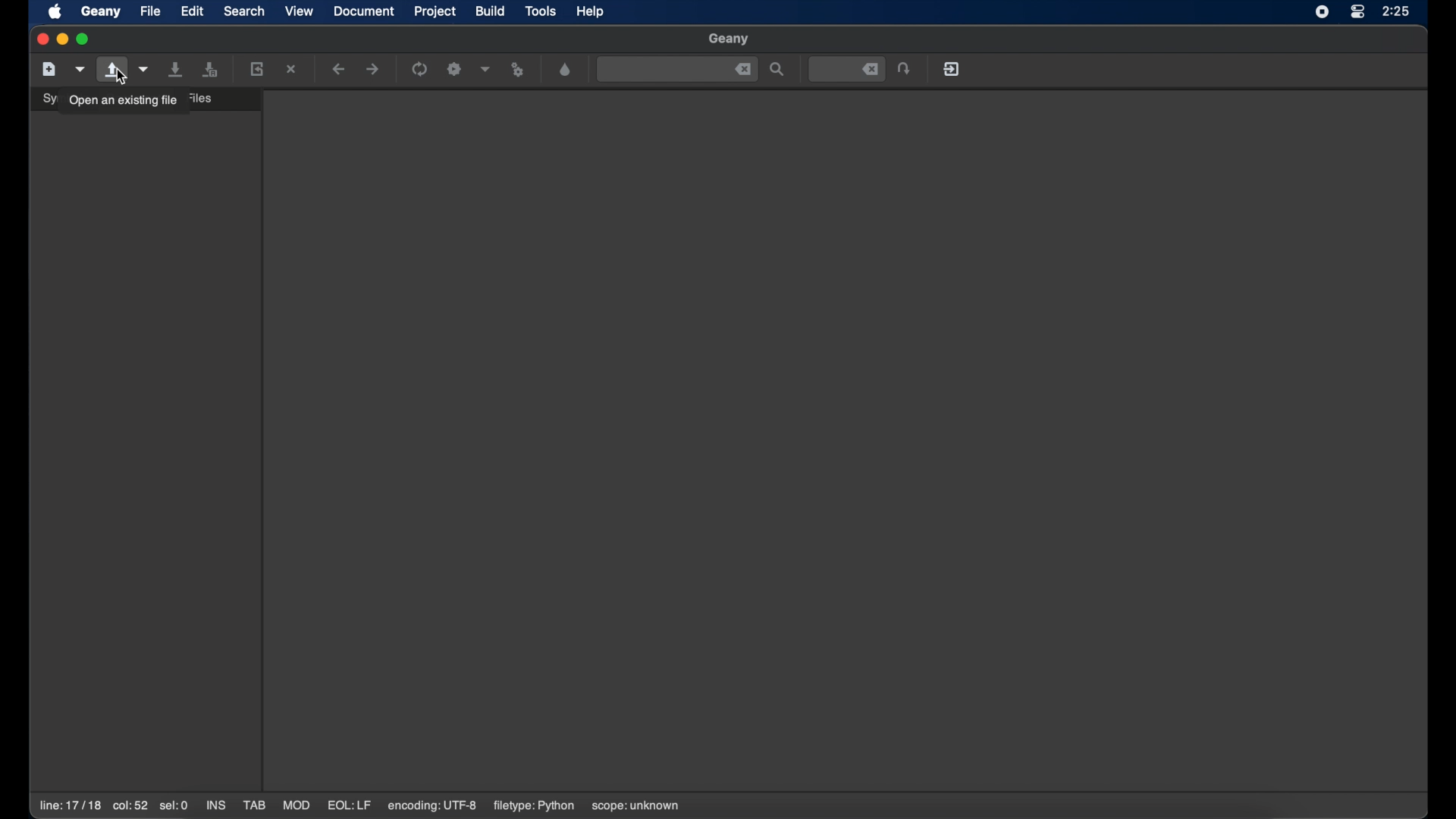  I want to click on close the current file, so click(292, 69).